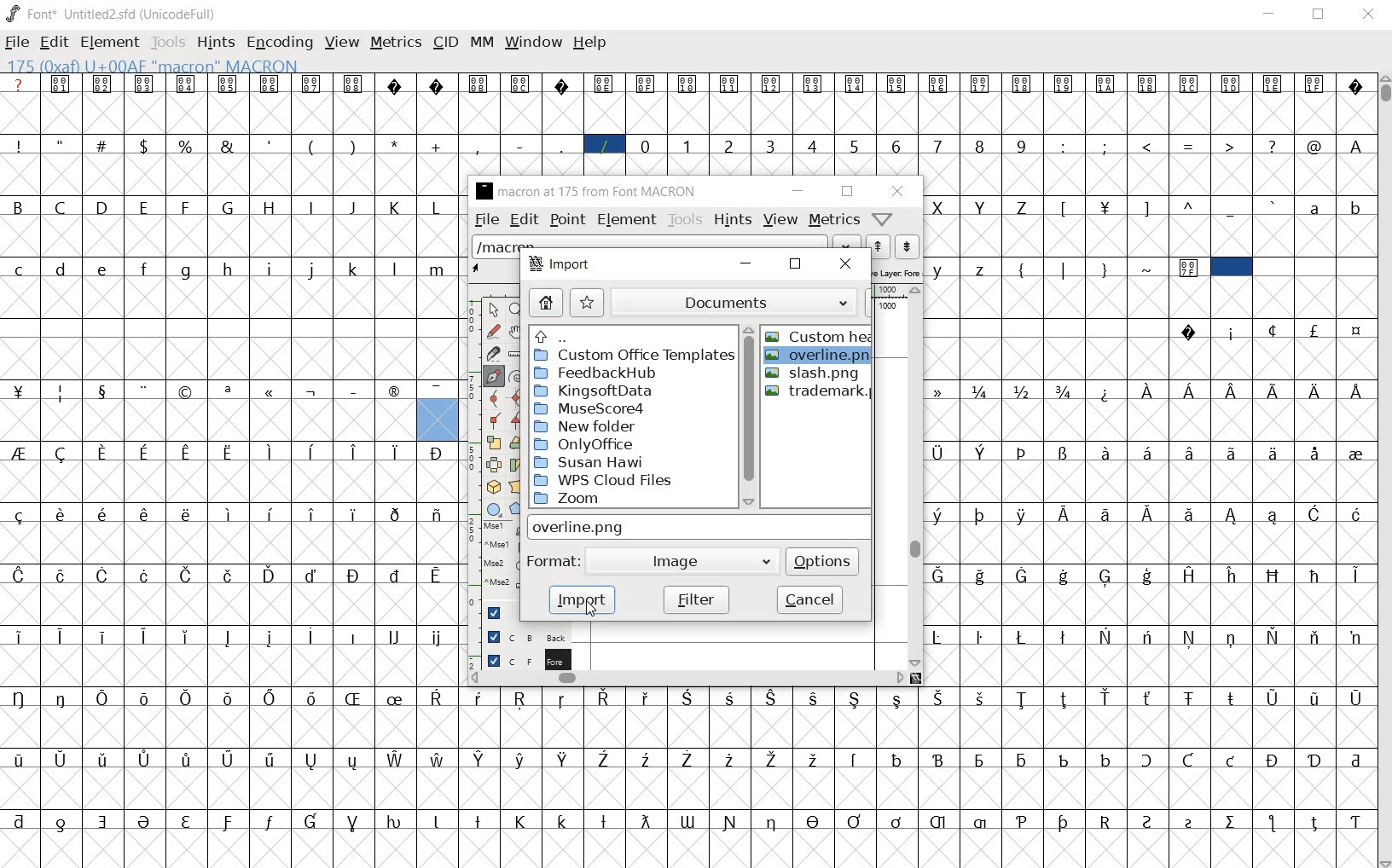 Image resolution: width=1392 pixels, height=868 pixels. I want to click on Symbol, so click(1314, 758).